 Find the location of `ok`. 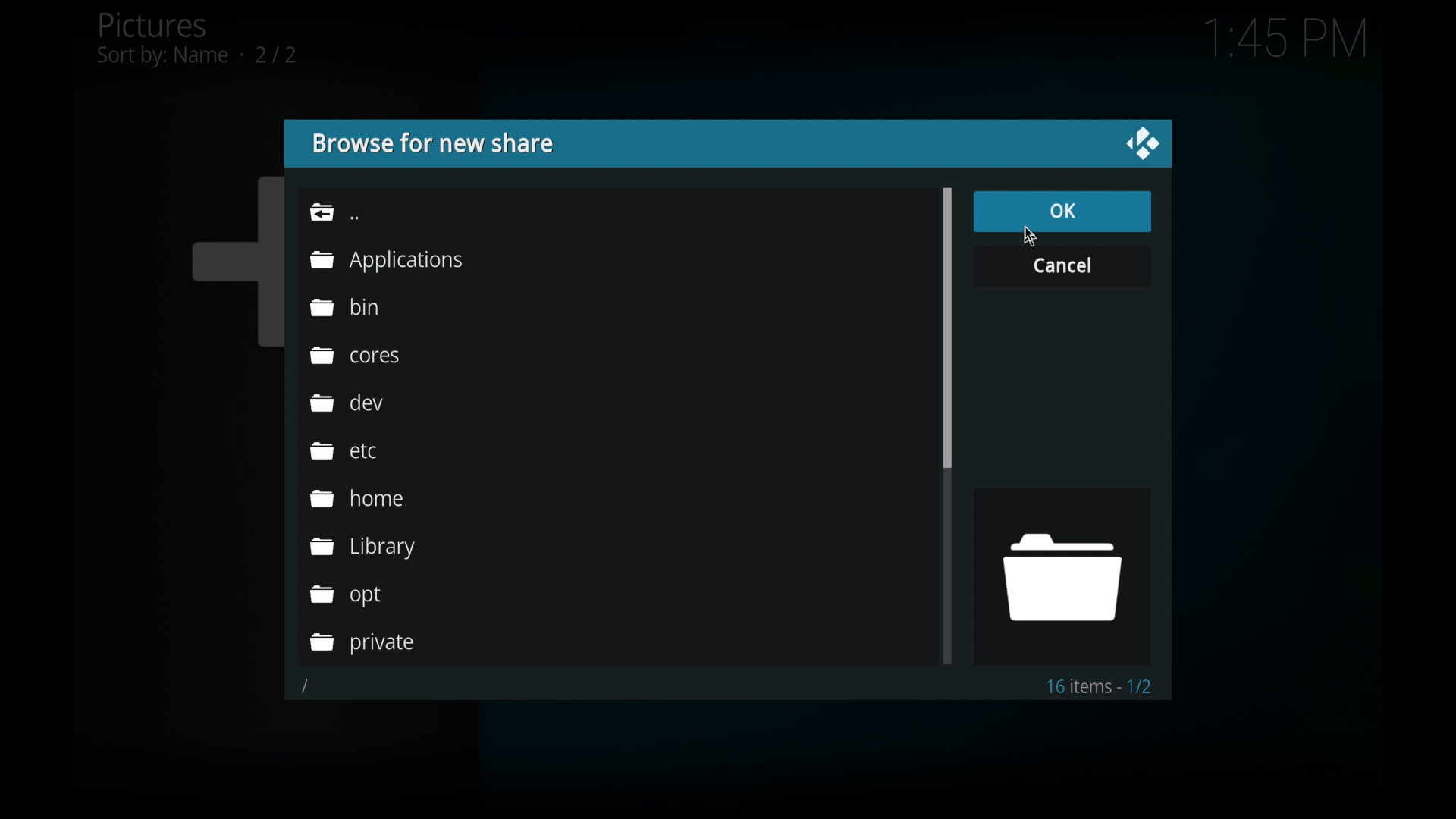

ok is located at coordinates (1064, 212).